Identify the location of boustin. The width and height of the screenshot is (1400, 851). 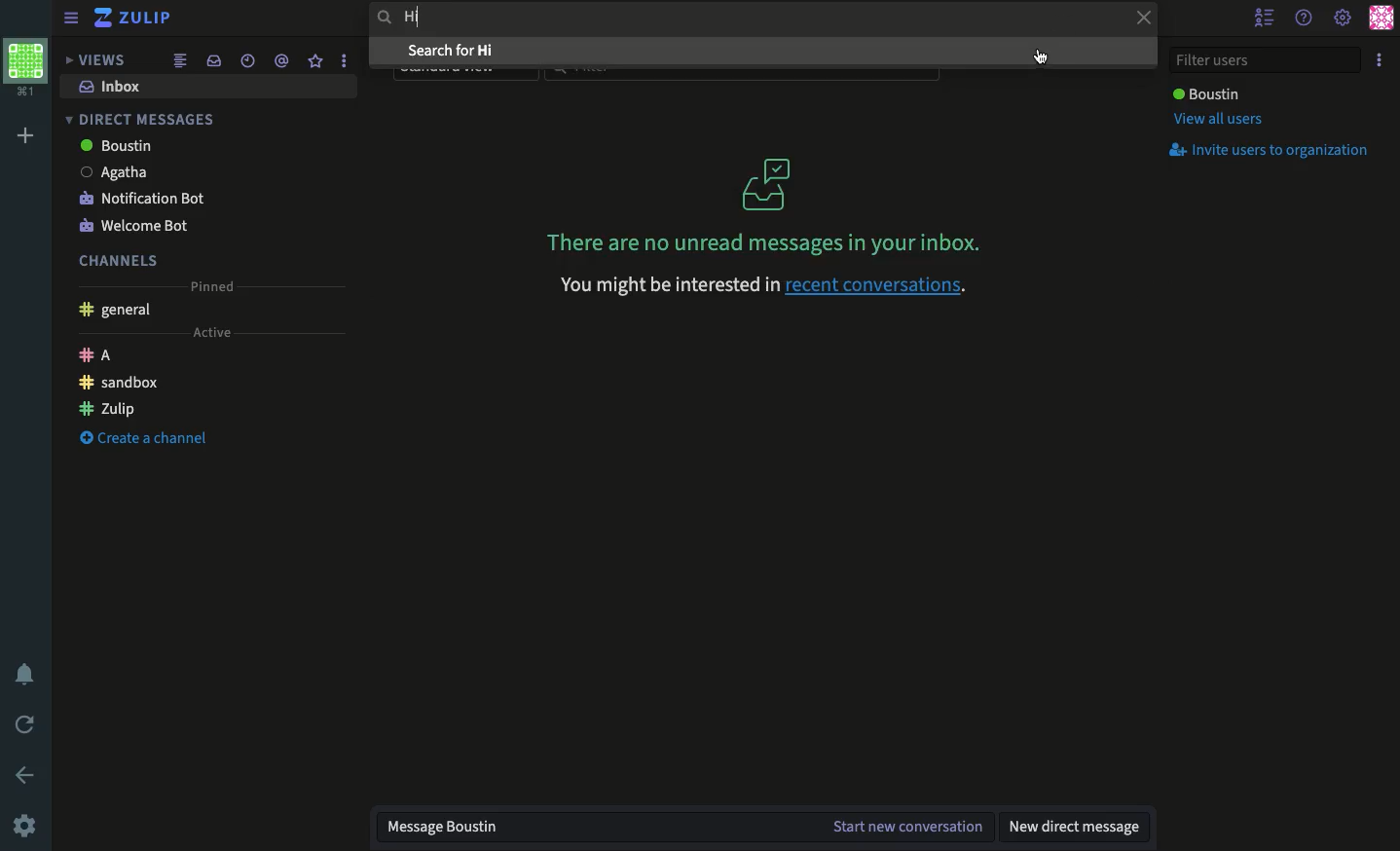
(129, 148).